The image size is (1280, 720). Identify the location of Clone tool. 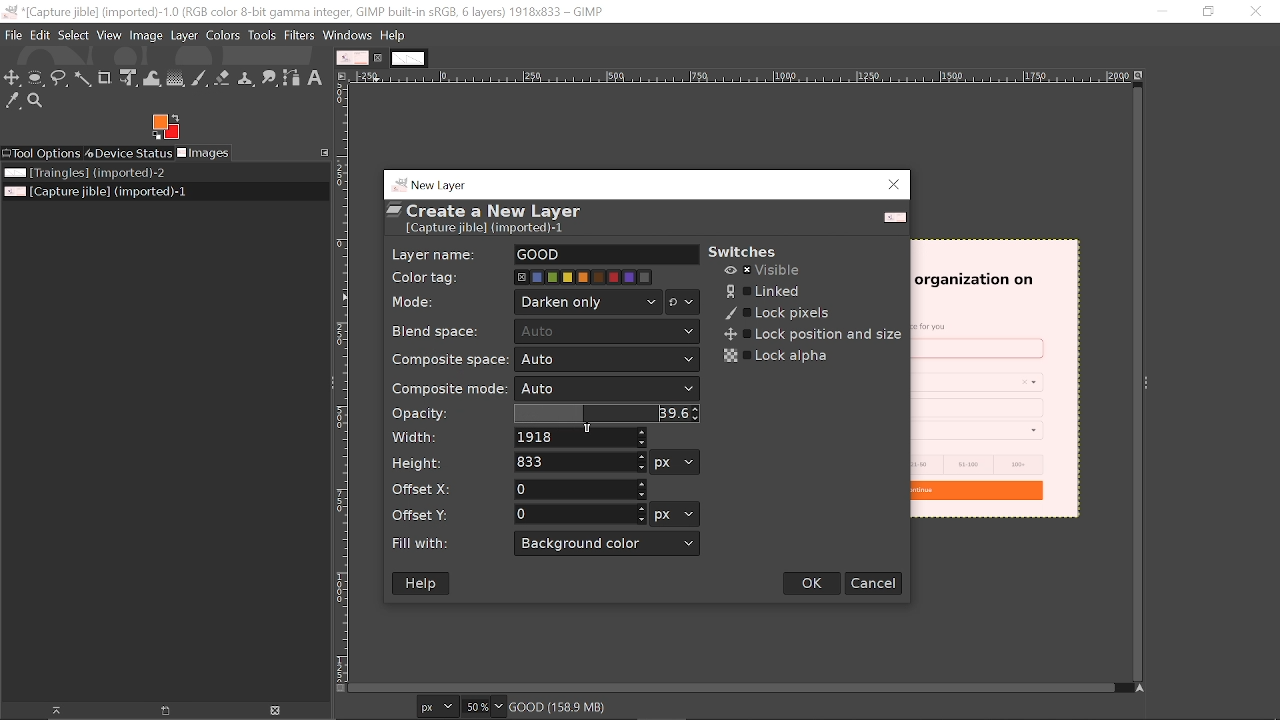
(247, 78).